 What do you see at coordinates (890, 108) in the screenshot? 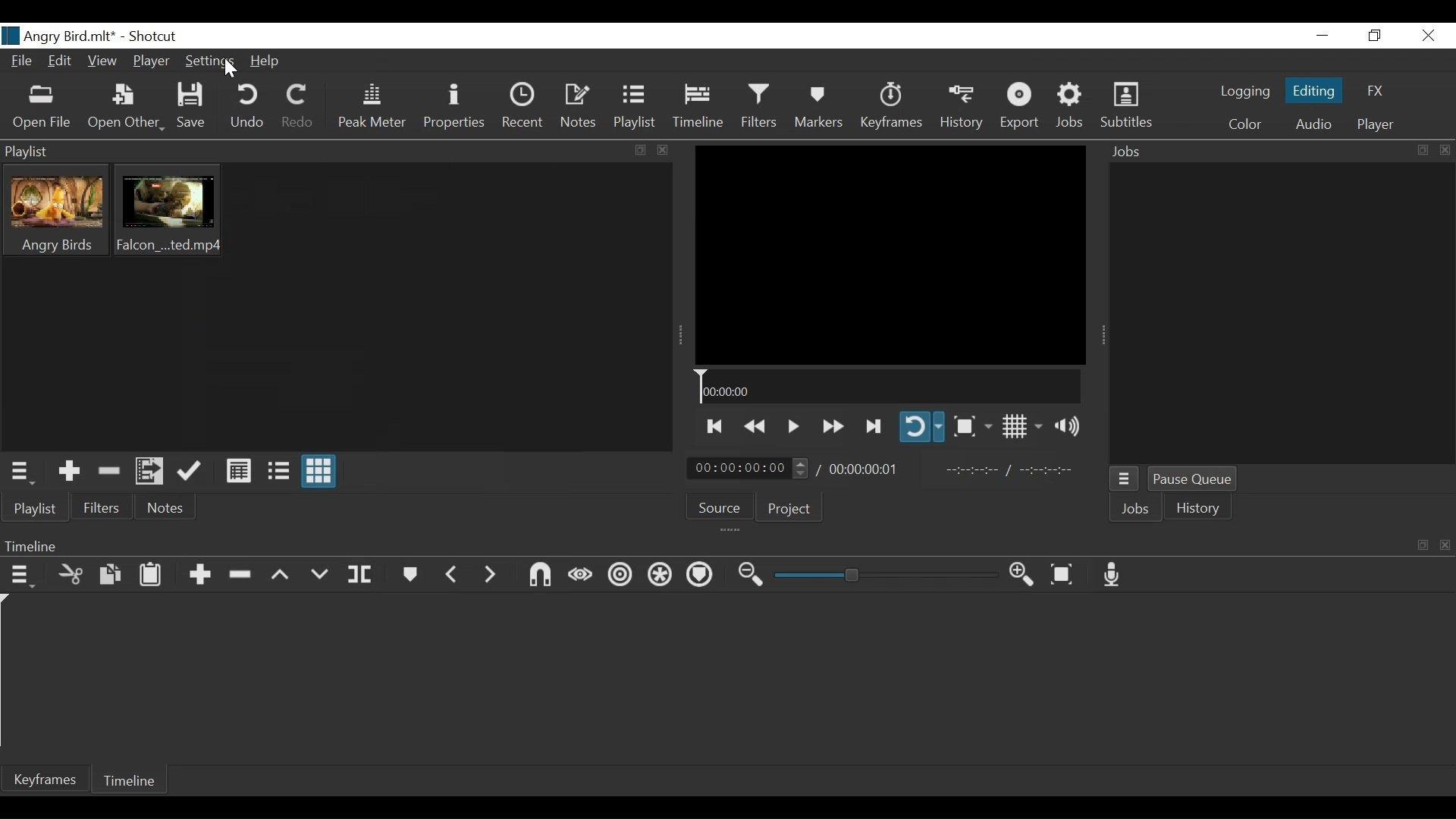
I see `Keyframe` at bounding box center [890, 108].